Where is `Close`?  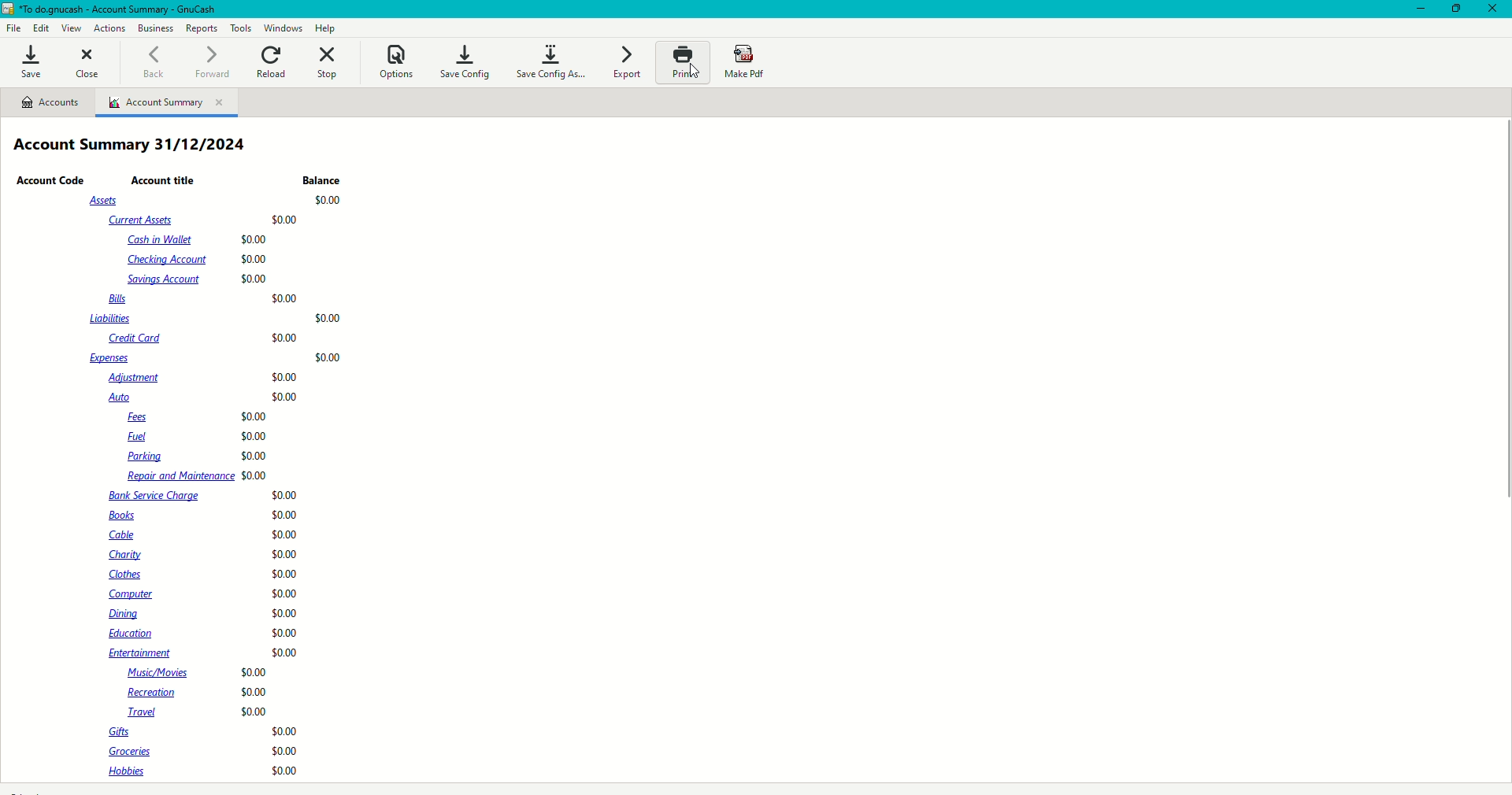
Close is located at coordinates (88, 64).